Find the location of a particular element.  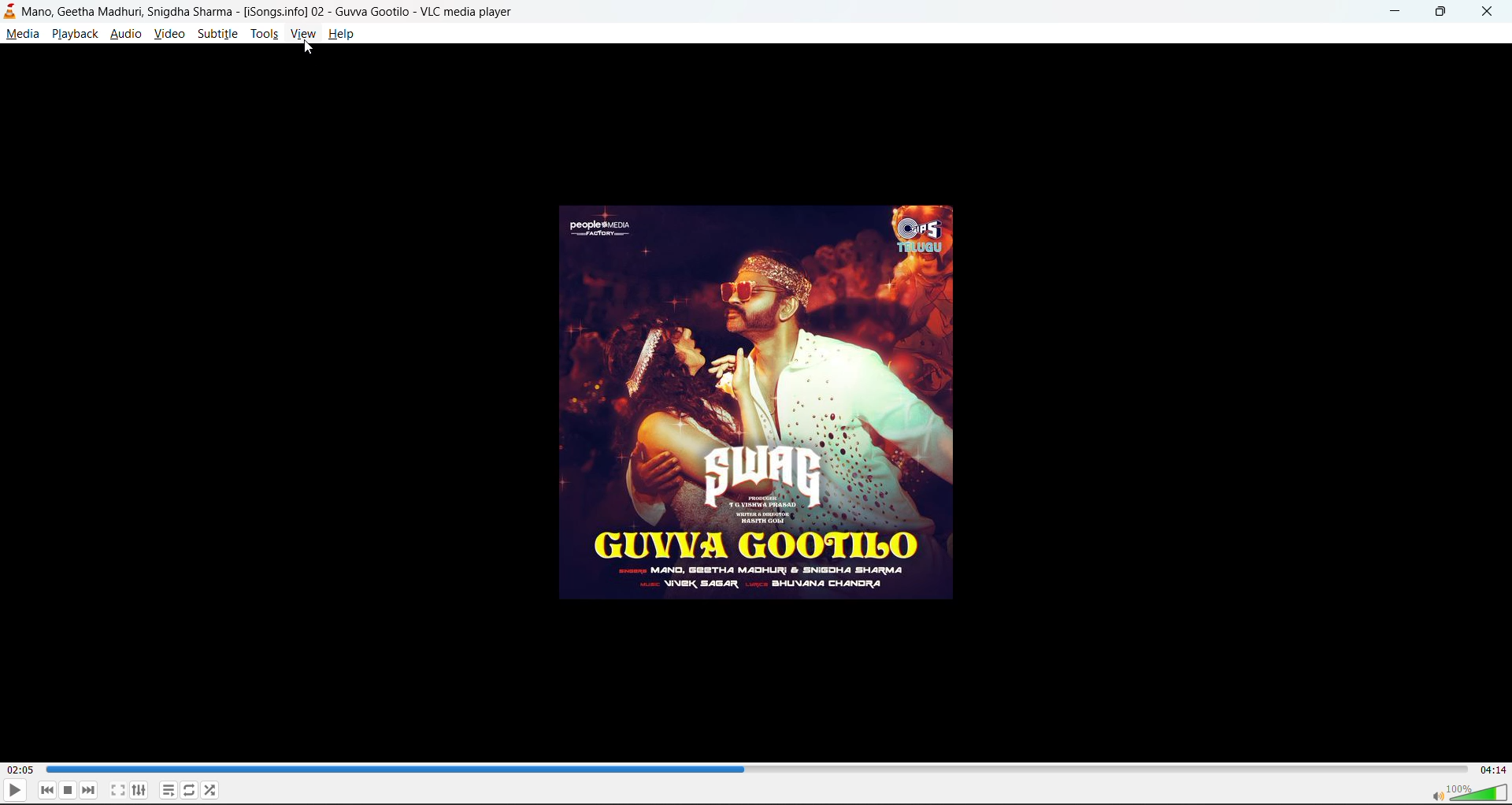

maximize is located at coordinates (1443, 13).